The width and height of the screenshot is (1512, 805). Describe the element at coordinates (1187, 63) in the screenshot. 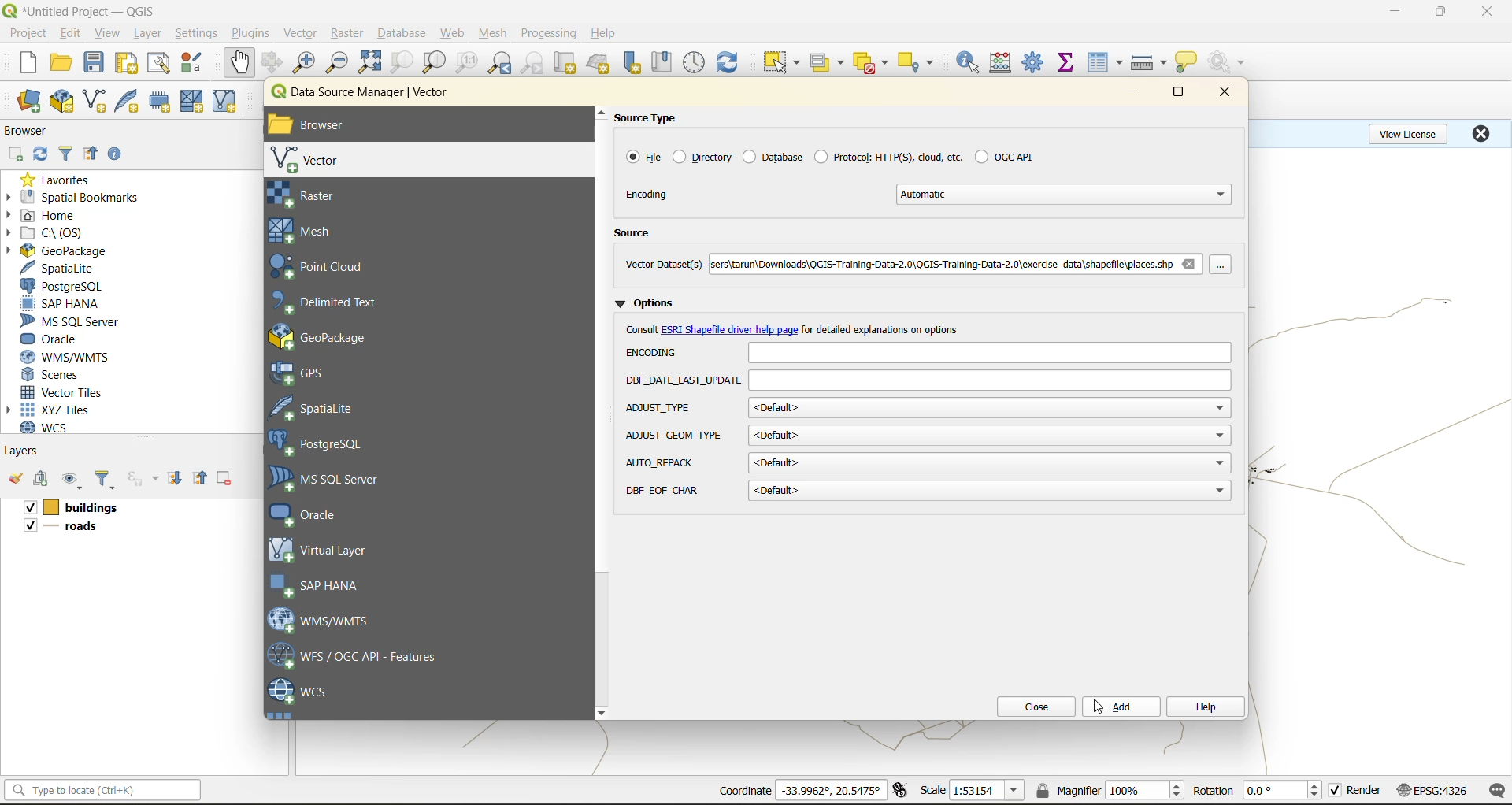

I see `show tips` at that location.